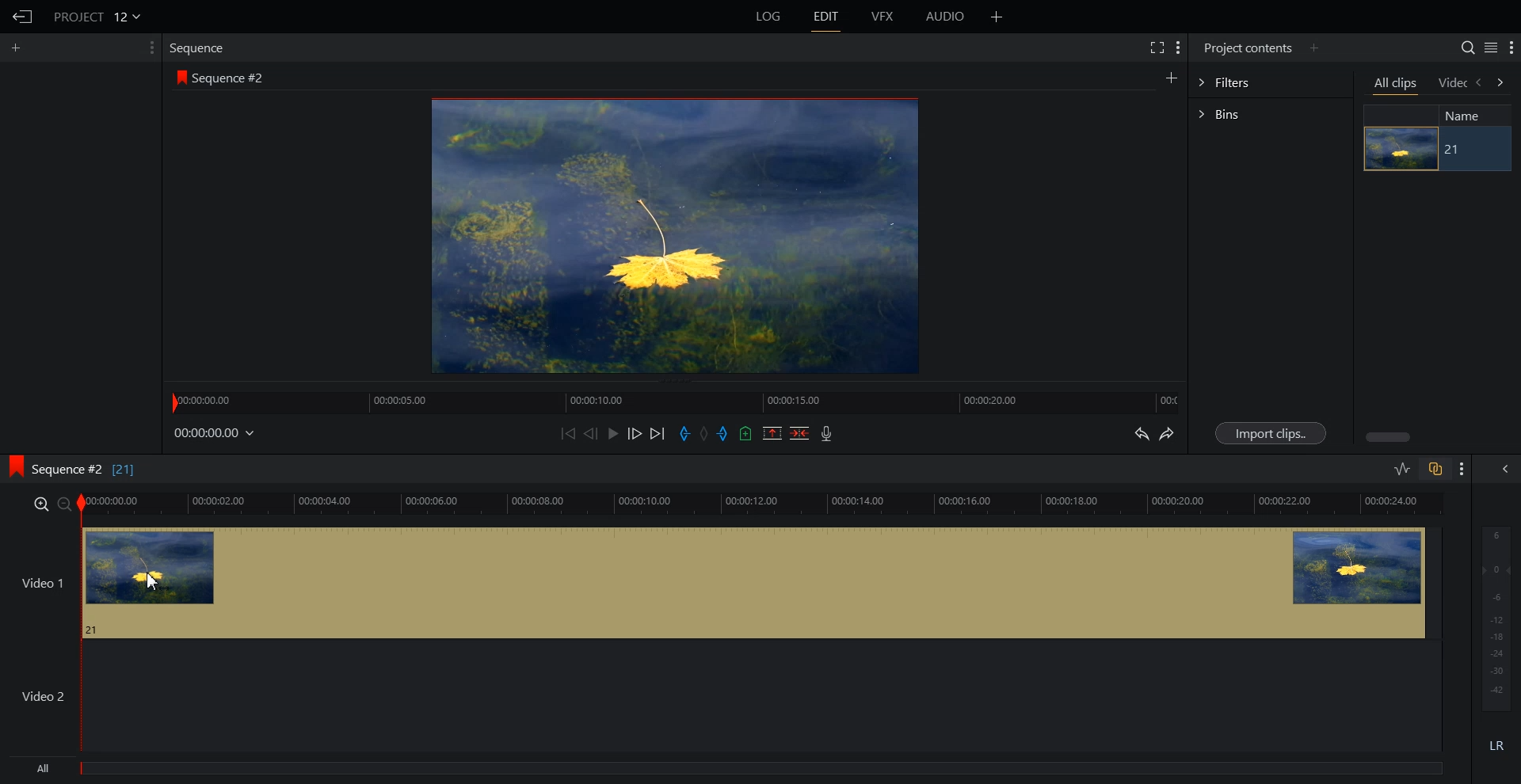 This screenshot has width=1521, height=784. I want to click on Show Setting Menu, so click(147, 48).